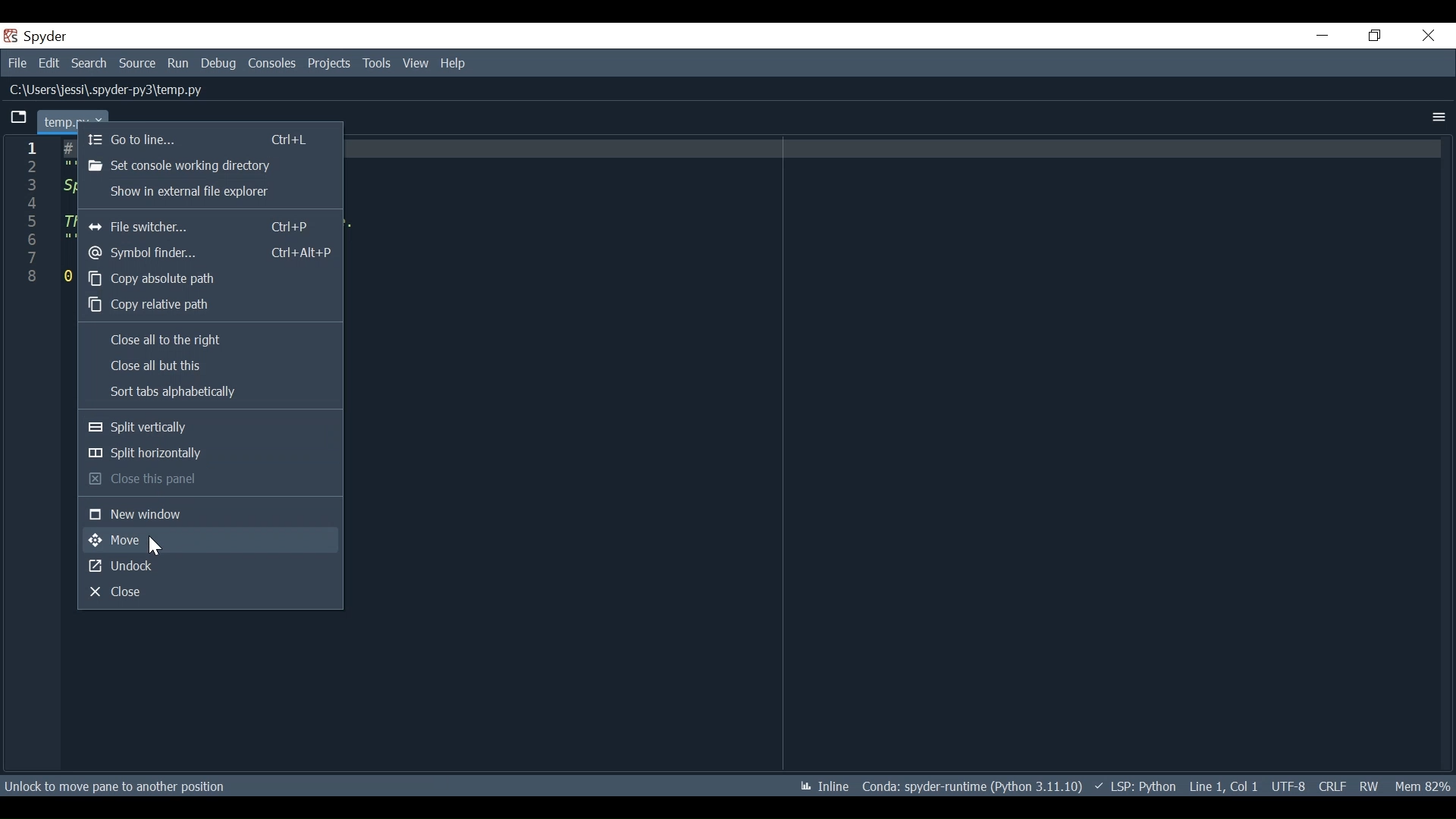 The height and width of the screenshot is (819, 1456). Describe the element at coordinates (209, 253) in the screenshot. I see `Symbol finder` at that location.